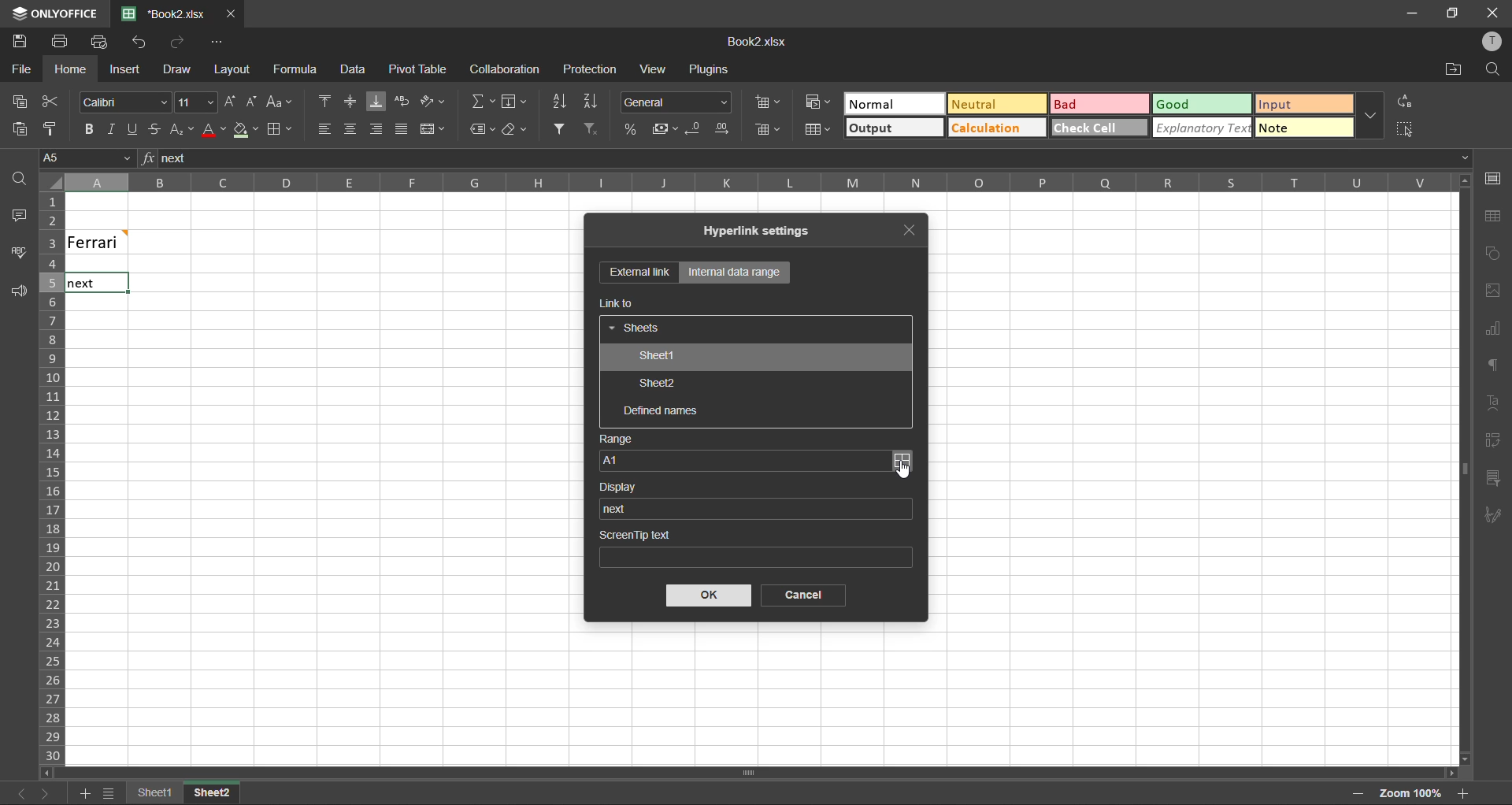  I want to click on merge and center, so click(432, 129).